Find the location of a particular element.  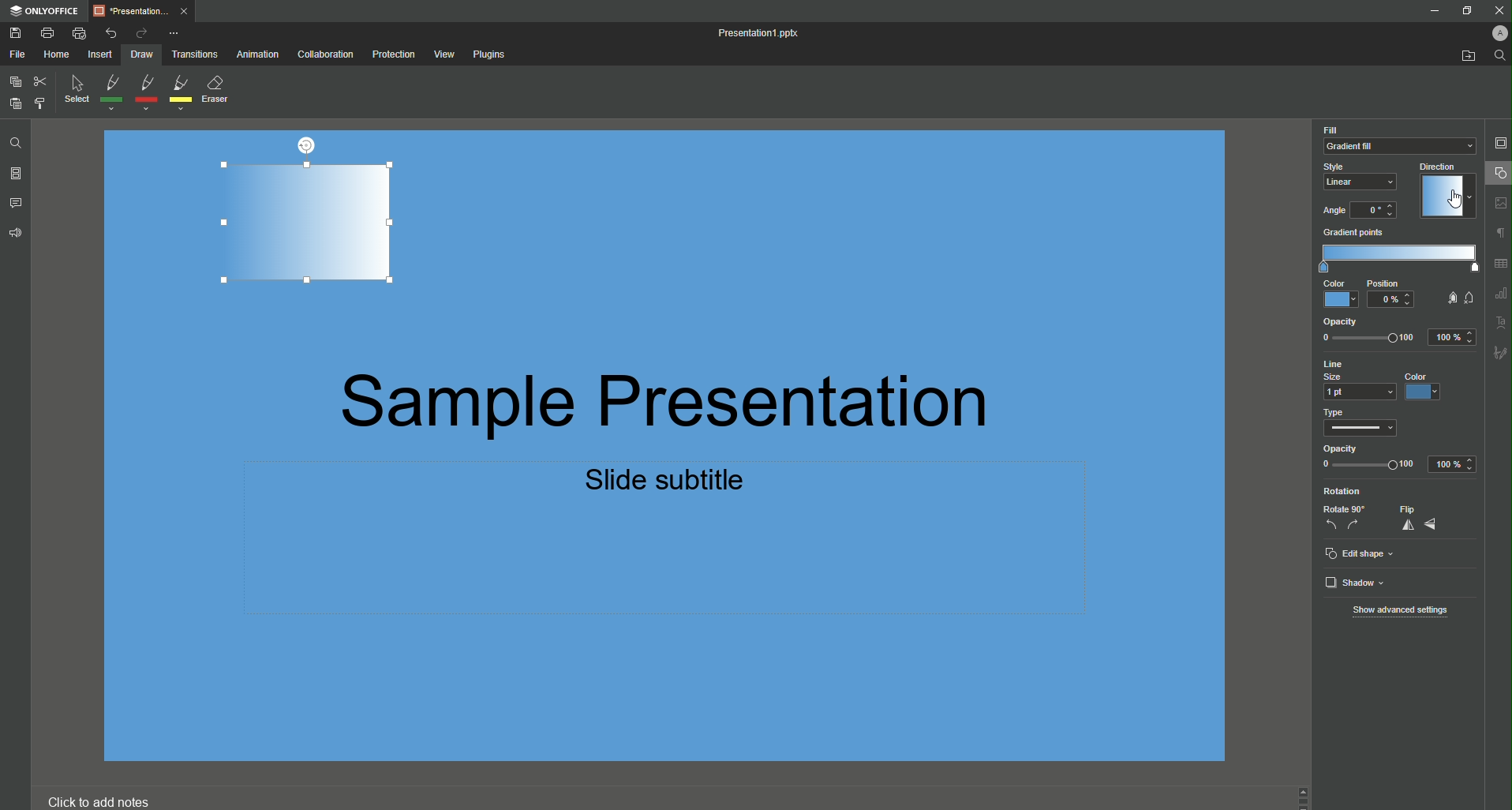

Print is located at coordinates (52, 33).